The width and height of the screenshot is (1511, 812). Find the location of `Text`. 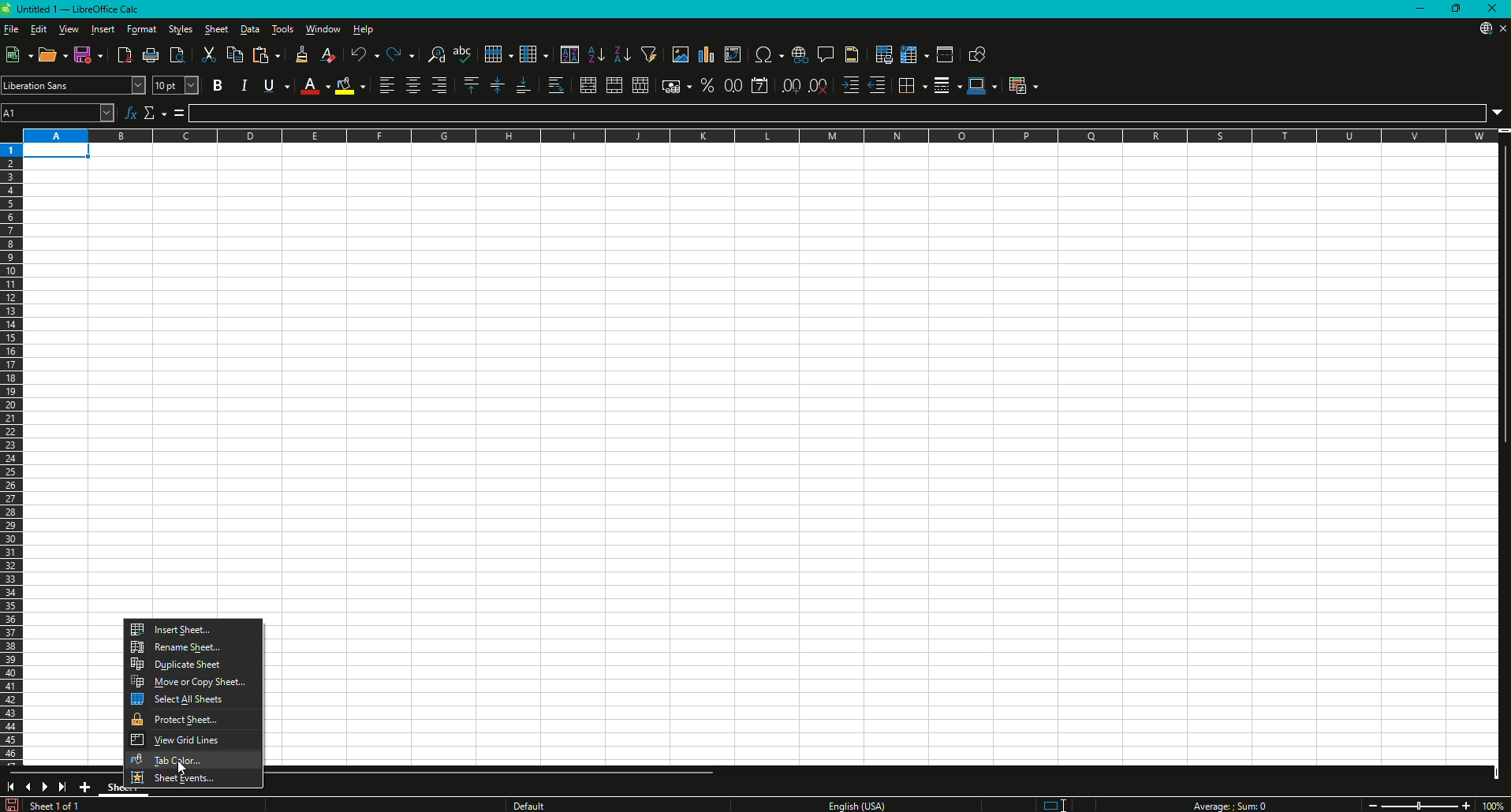

Text is located at coordinates (78, 9).